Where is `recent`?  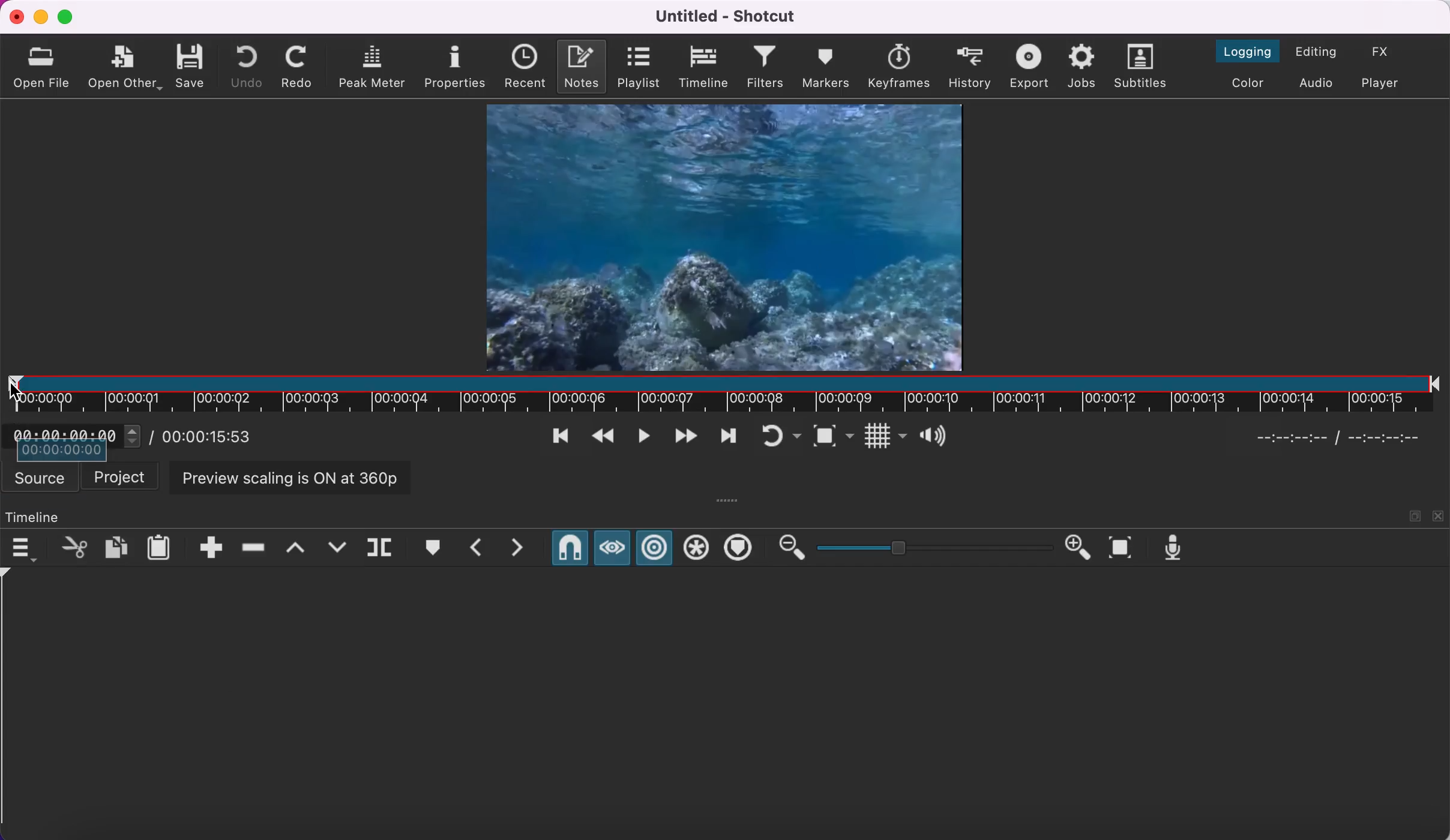
recent is located at coordinates (526, 67).